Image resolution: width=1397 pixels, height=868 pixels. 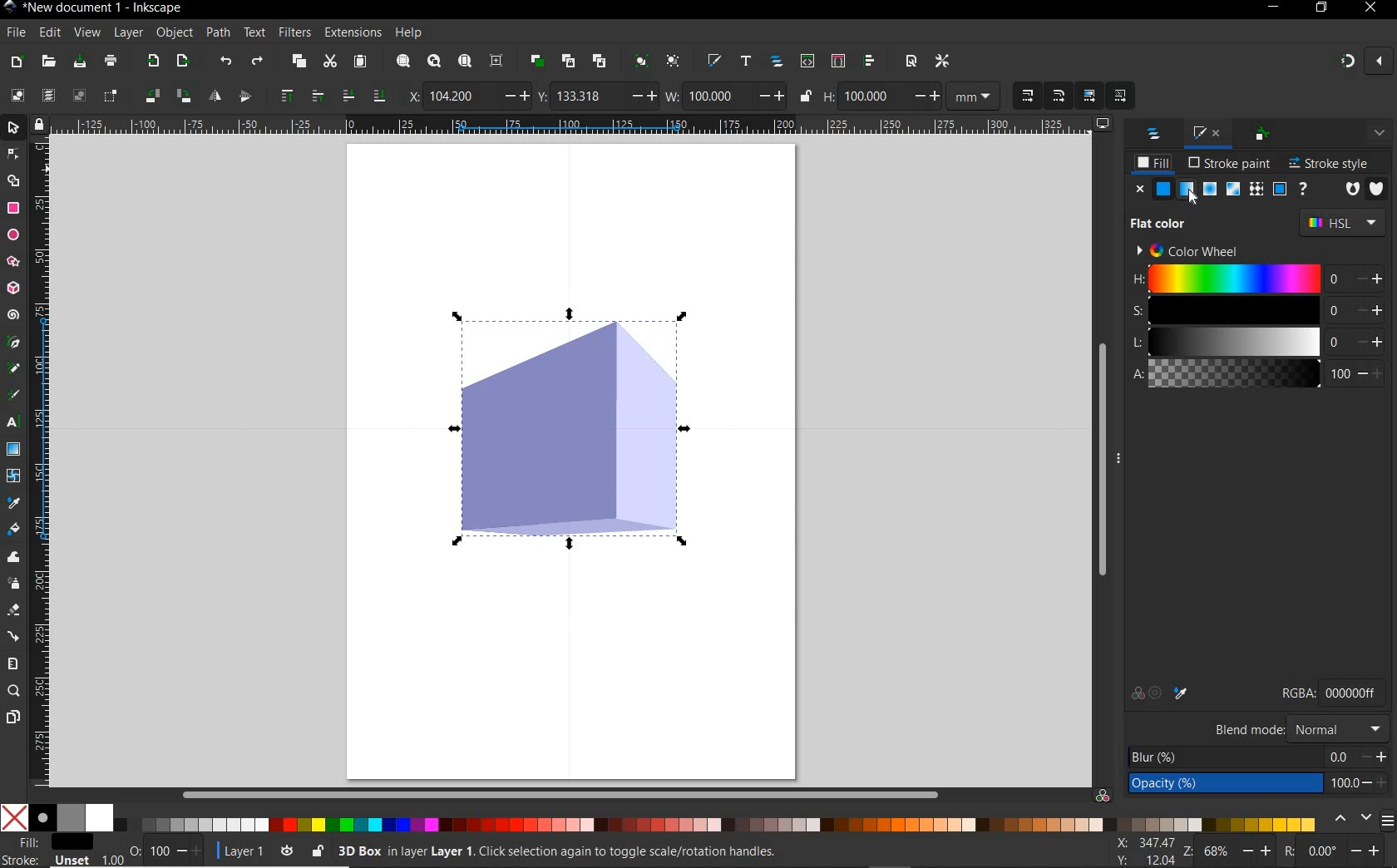 What do you see at coordinates (1154, 136) in the screenshot?
I see `LAYERS AND OBJECTS` at bounding box center [1154, 136].